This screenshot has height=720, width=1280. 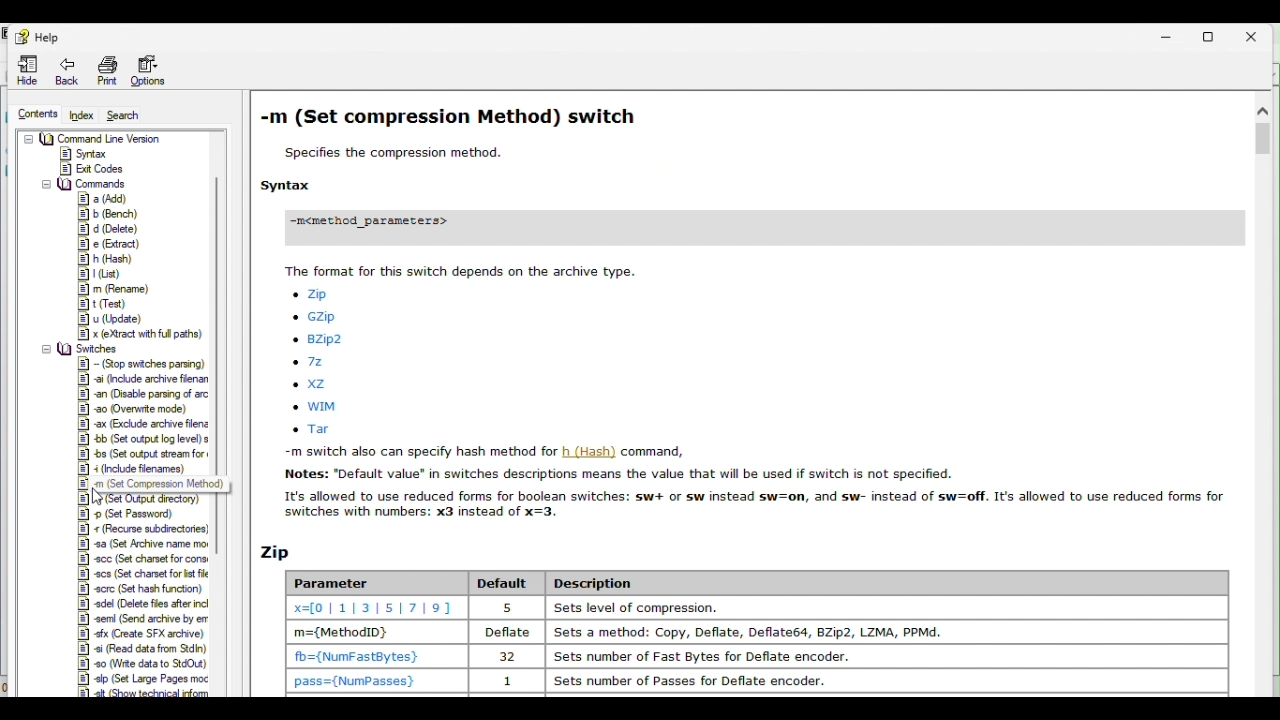 I want to click on an, so click(x=143, y=395).